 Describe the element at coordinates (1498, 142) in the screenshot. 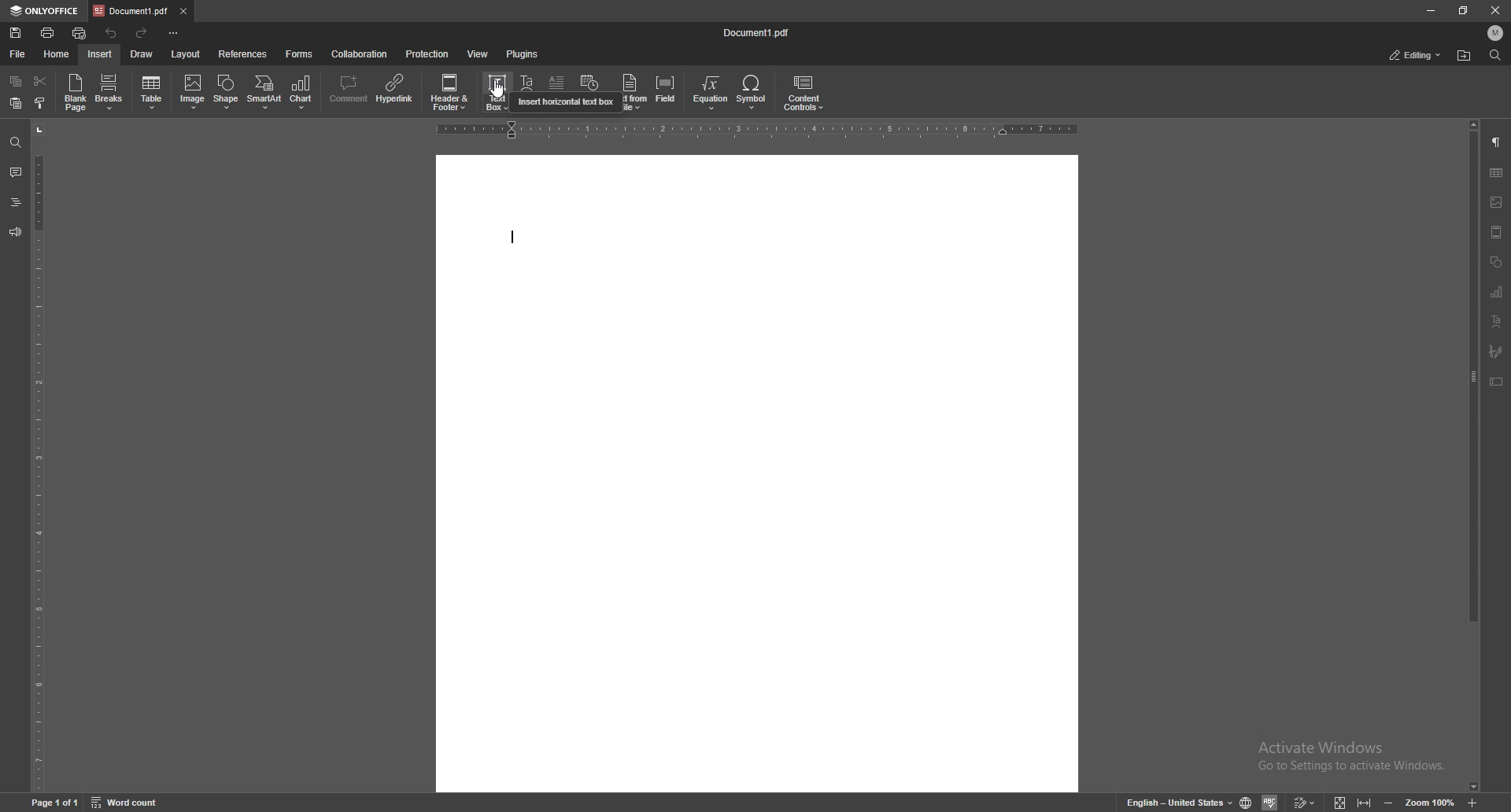

I see `paragraph` at that location.